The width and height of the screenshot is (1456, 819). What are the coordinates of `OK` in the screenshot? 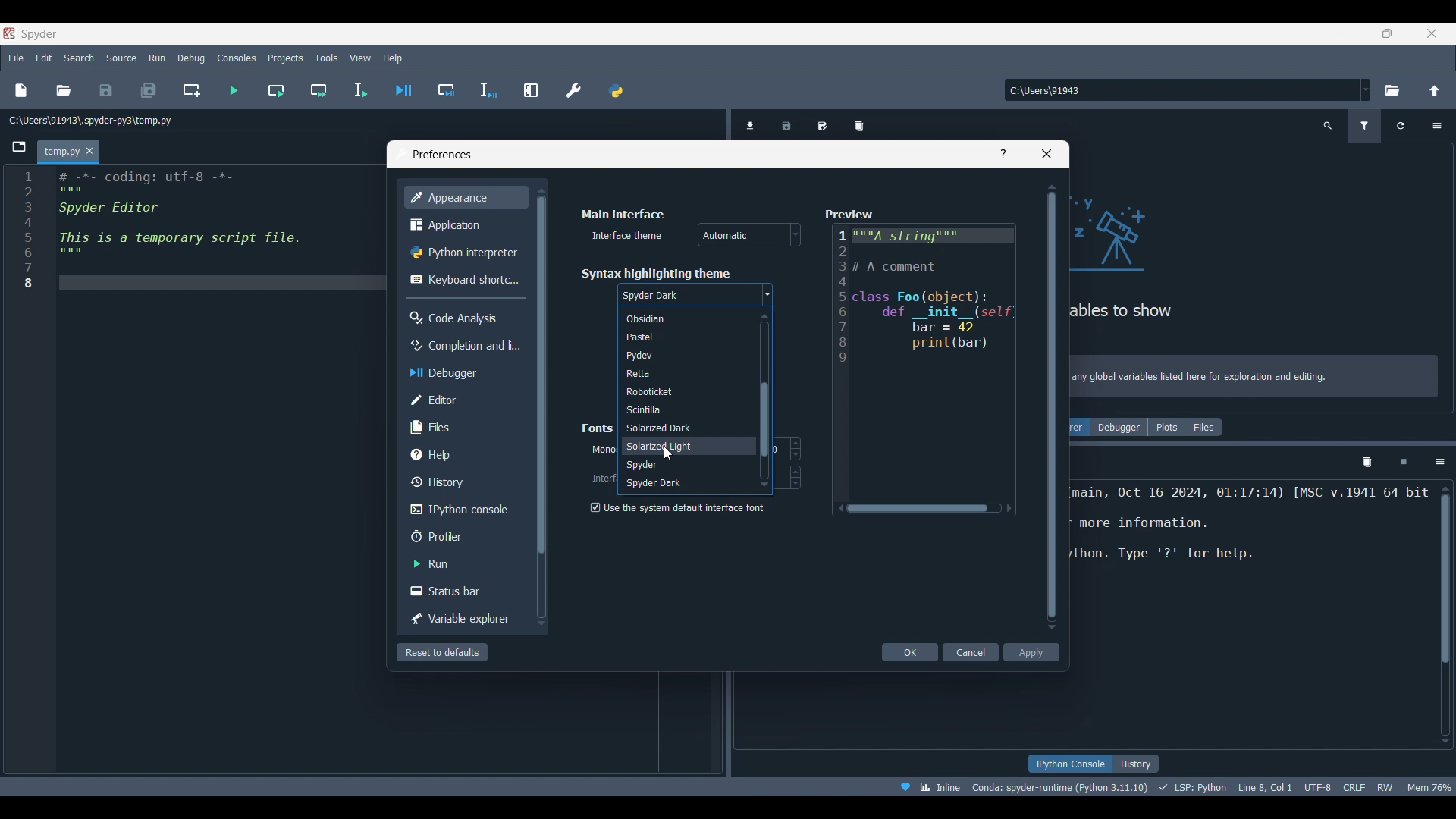 It's located at (909, 652).